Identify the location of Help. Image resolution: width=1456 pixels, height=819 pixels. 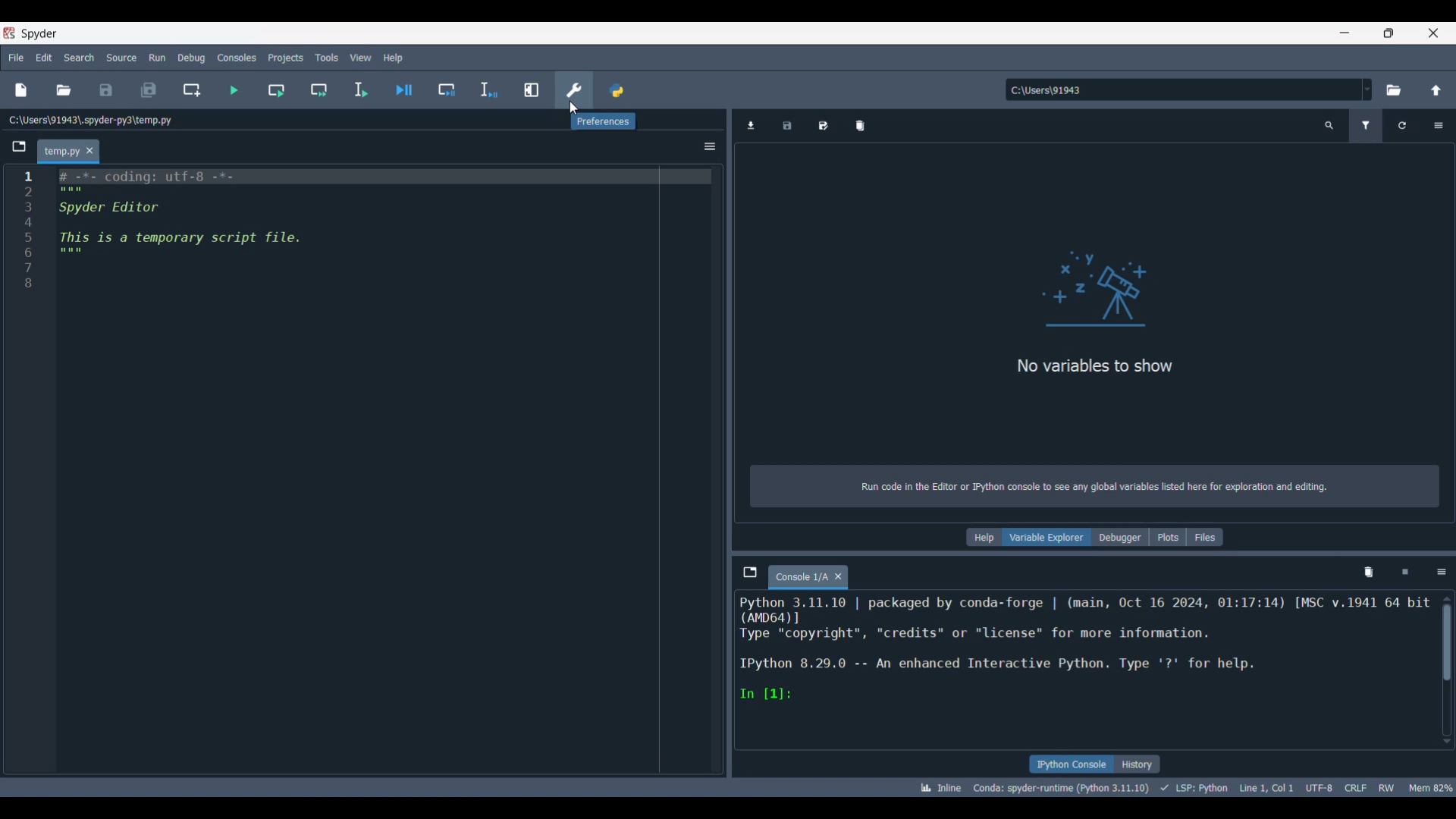
(984, 537).